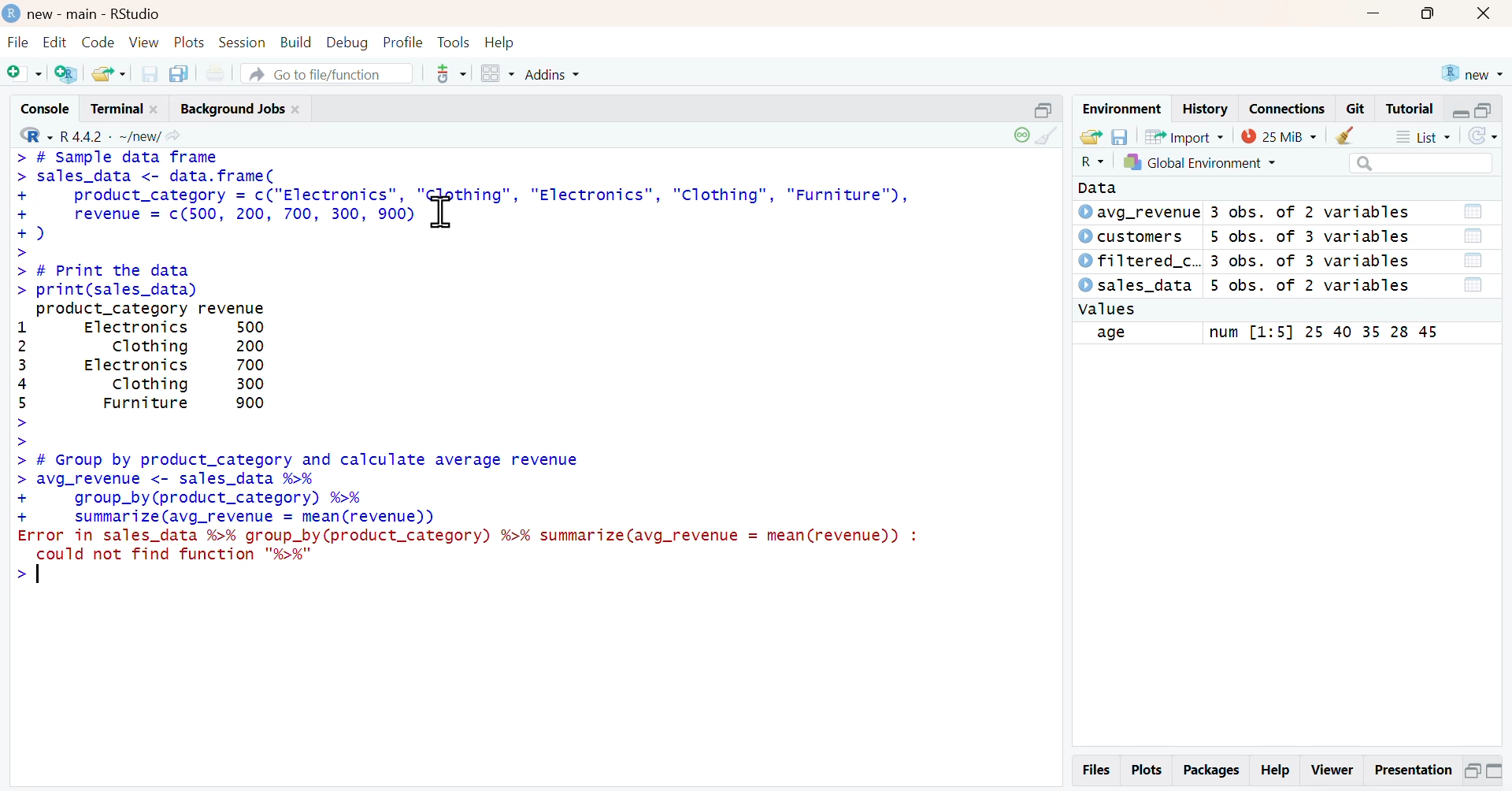 This screenshot has height=791, width=1512. I want to click on Help, so click(501, 43).